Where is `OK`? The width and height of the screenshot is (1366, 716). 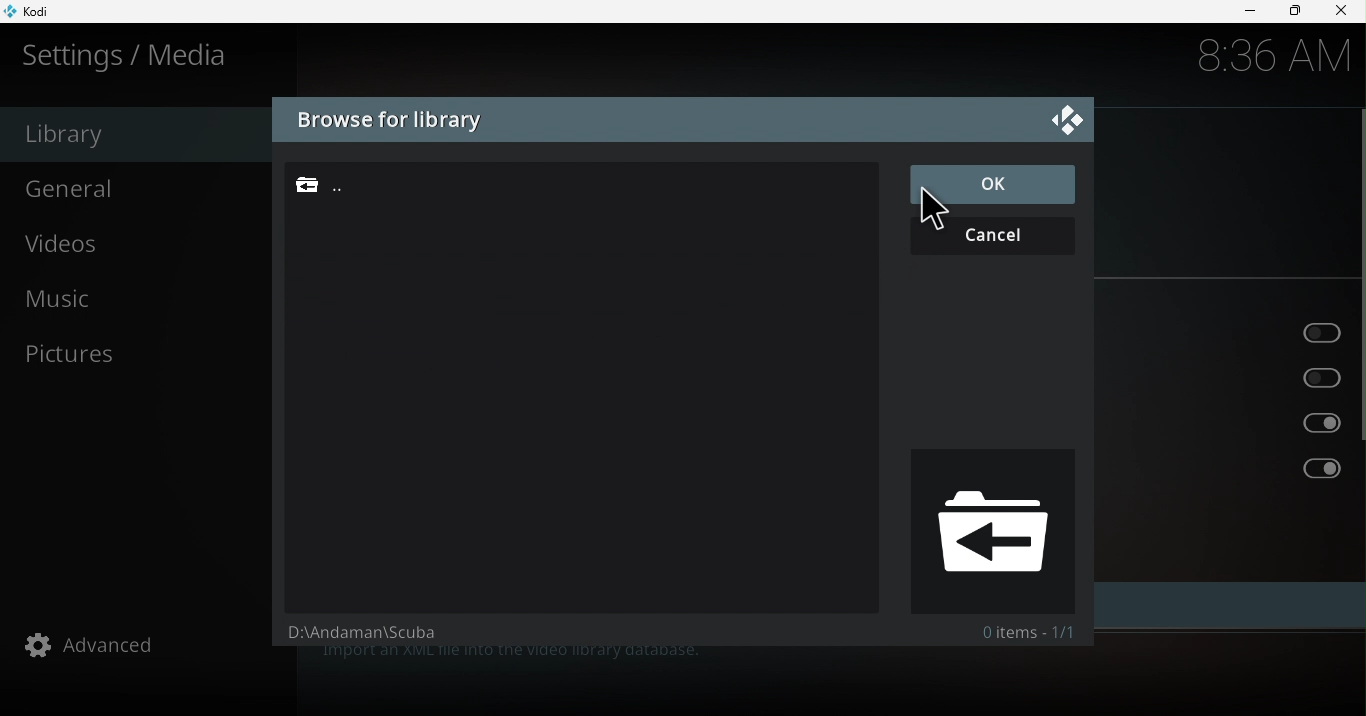
OK is located at coordinates (989, 185).